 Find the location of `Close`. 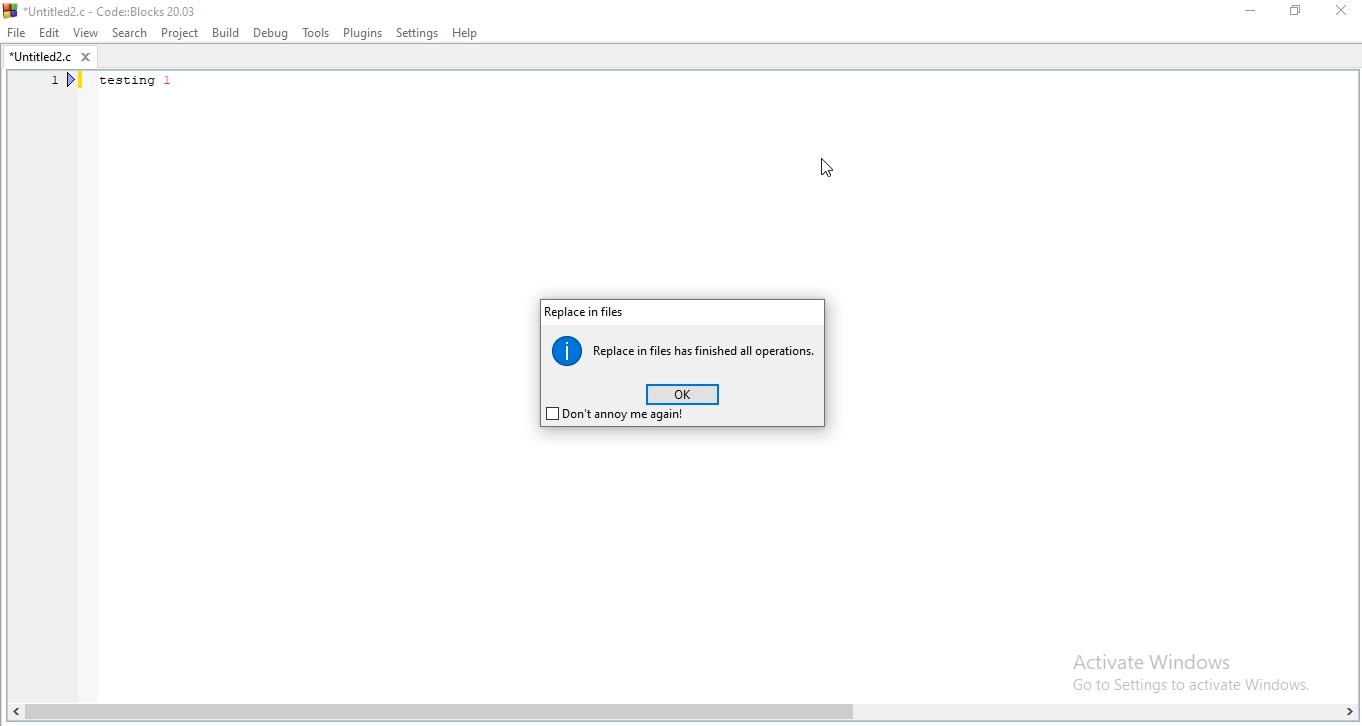

Close is located at coordinates (1343, 12).